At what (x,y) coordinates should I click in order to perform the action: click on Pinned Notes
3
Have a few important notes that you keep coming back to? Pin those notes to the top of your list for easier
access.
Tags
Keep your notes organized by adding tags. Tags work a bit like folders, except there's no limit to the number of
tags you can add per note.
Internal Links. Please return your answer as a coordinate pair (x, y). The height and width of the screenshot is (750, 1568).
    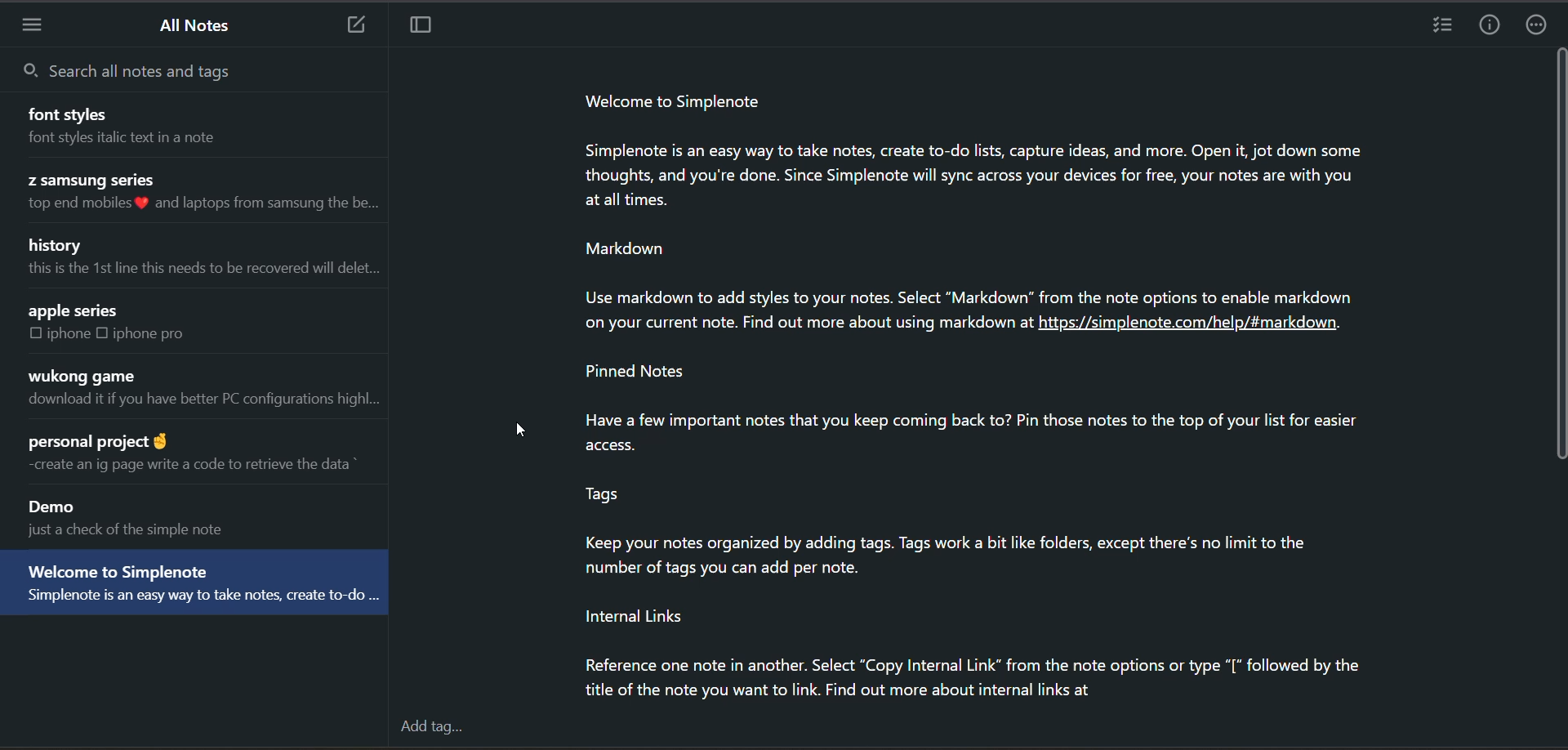
    Looking at the image, I should click on (954, 500).